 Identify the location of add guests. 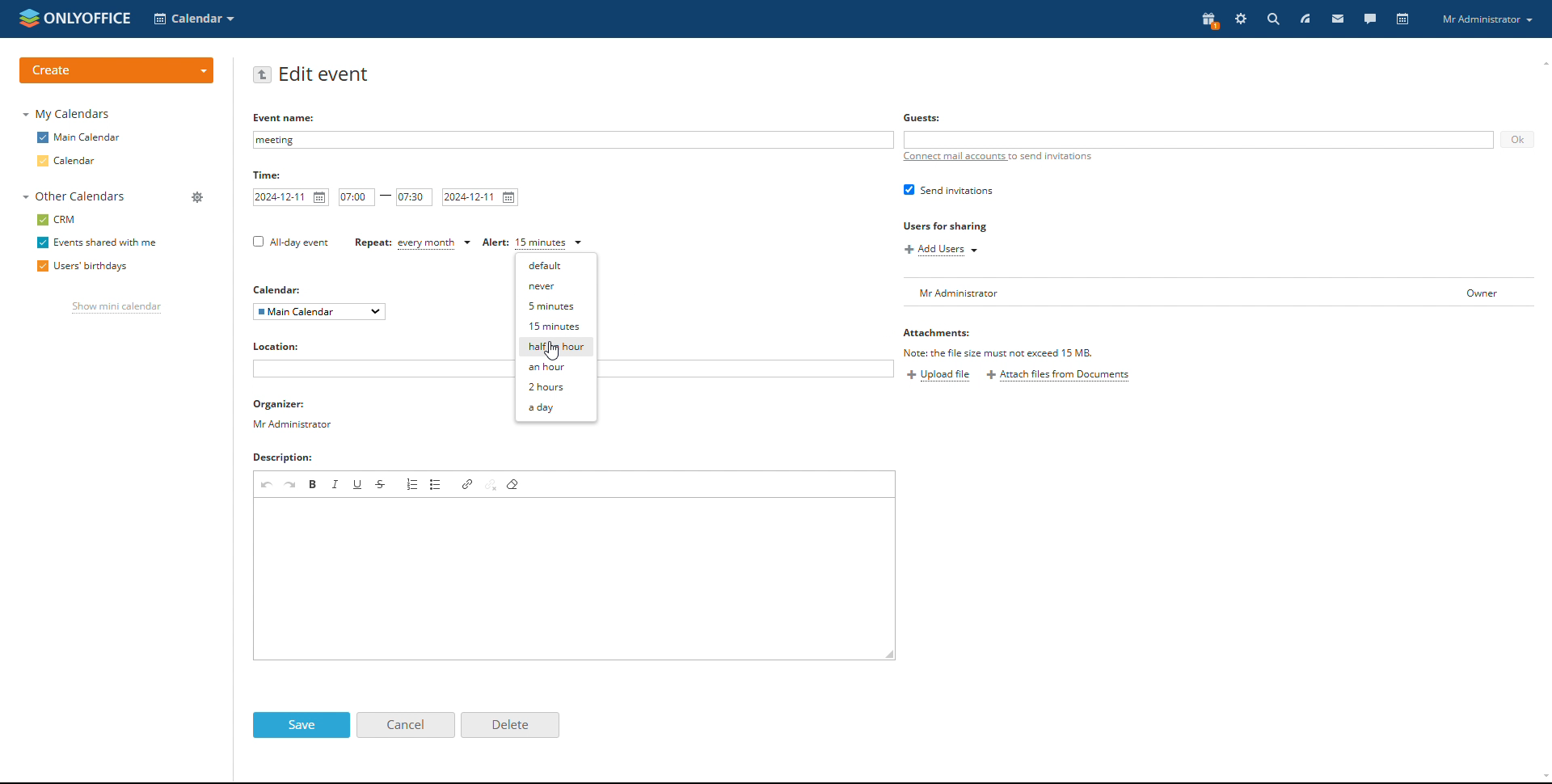
(1200, 139).